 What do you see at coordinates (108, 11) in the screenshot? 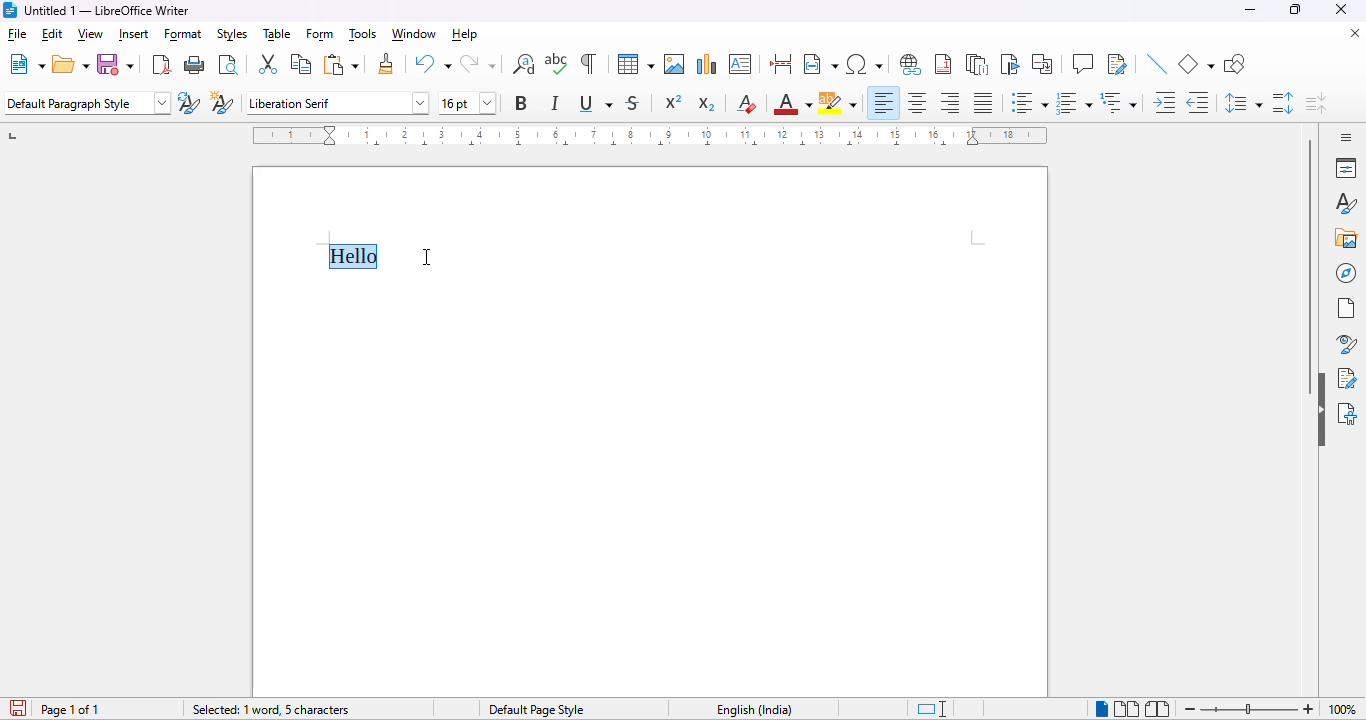
I see `Untitled 1 - LibreOffice Writer` at bounding box center [108, 11].